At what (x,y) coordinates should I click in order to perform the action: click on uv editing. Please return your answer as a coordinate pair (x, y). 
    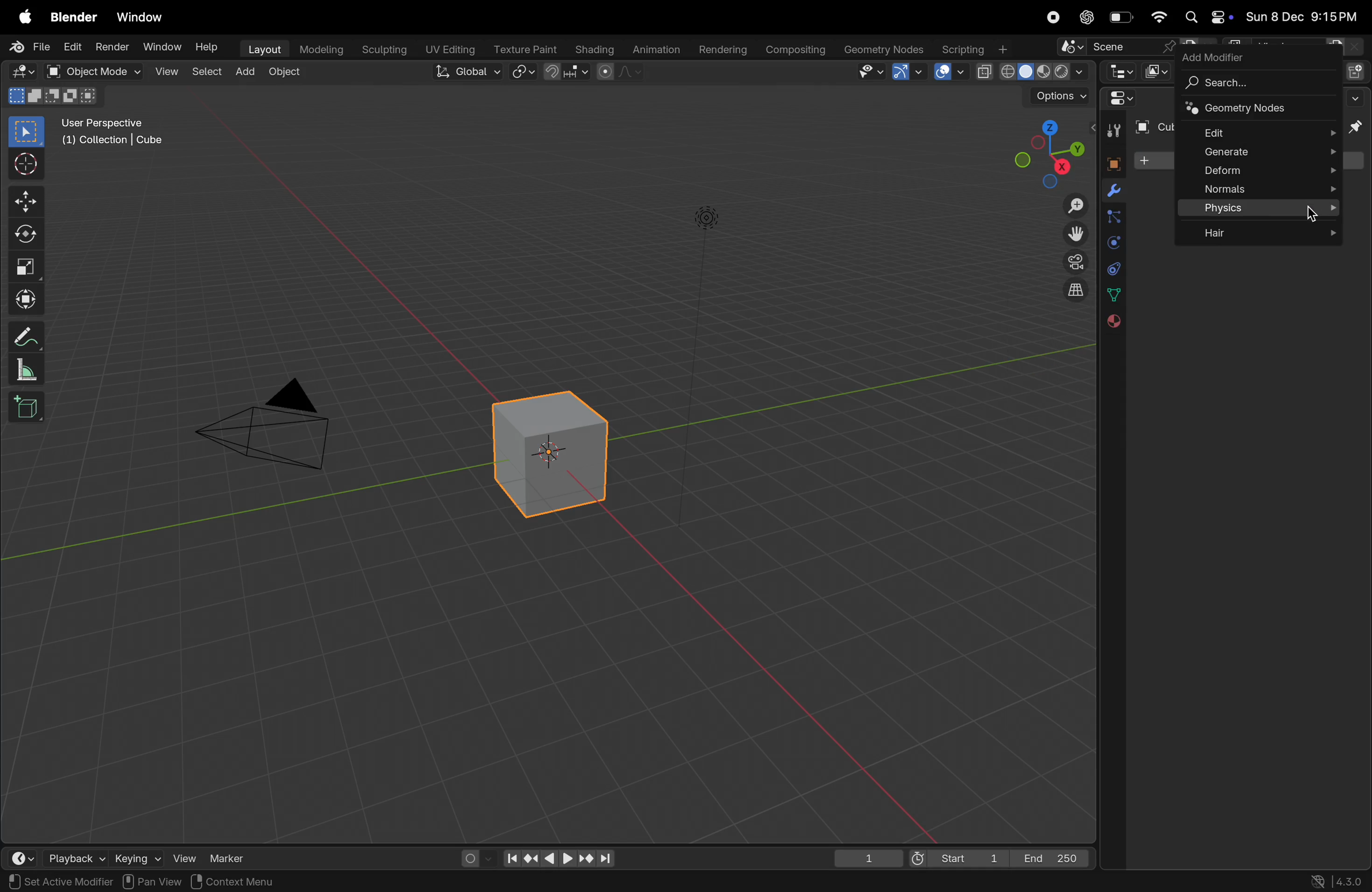
    Looking at the image, I should click on (452, 48).